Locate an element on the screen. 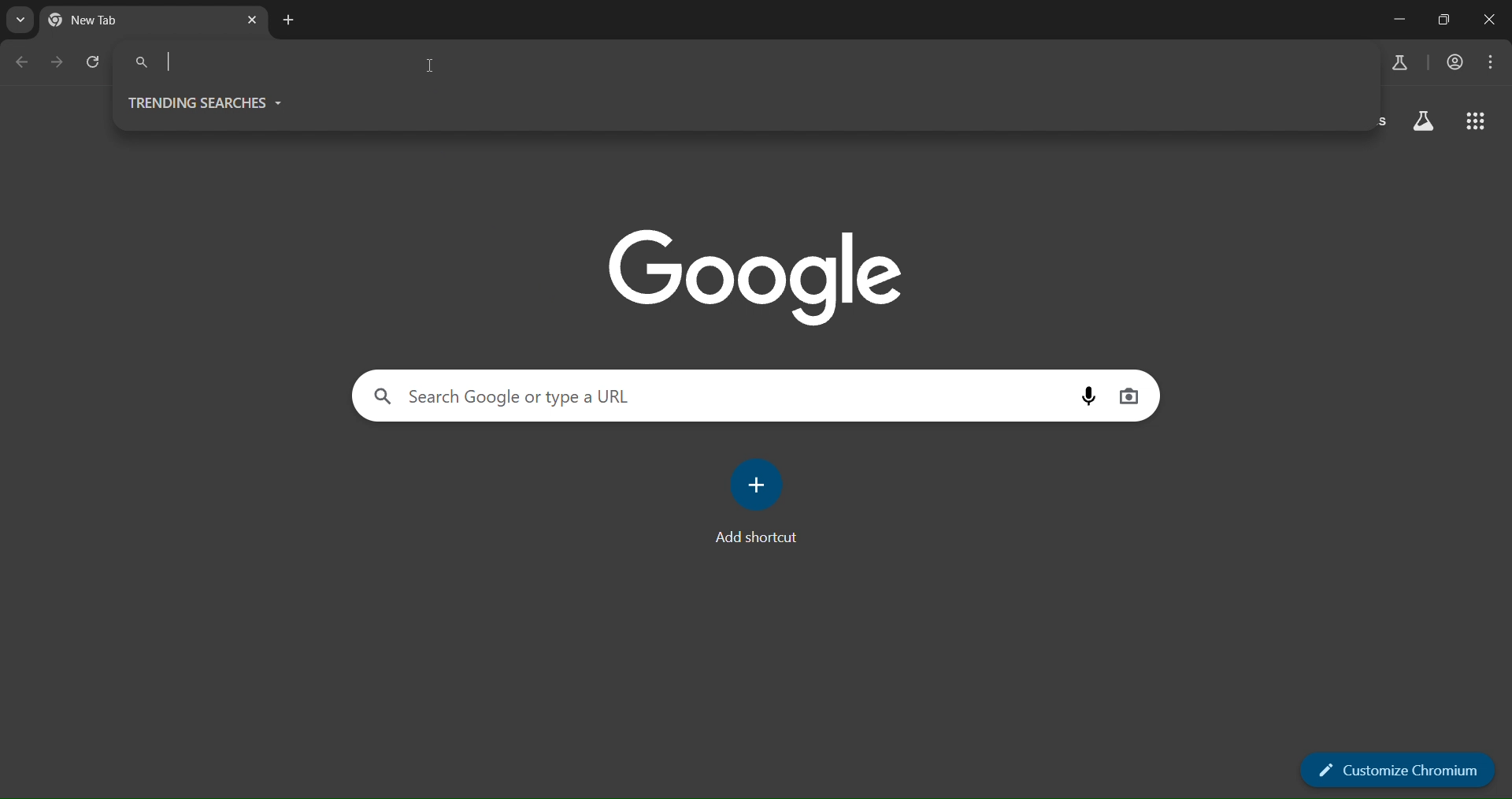 This screenshot has width=1512, height=799. customize chromium is located at coordinates (1395, 769).